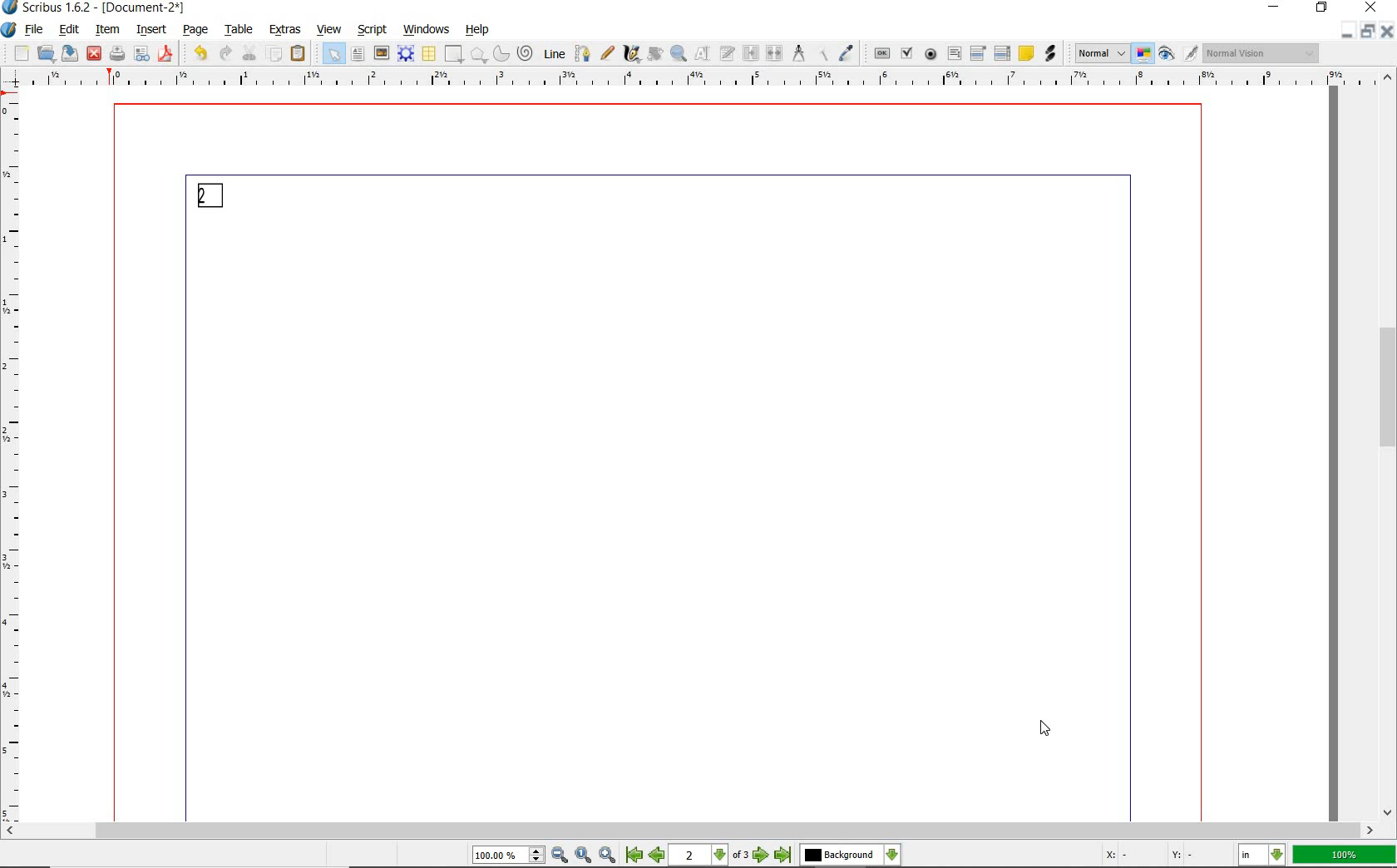 The height and width of the screenshot is (868, 1397). What do you see at coordinates (285, 30) in the screenshot?
I see `extras` at bounding box center [285, 30].